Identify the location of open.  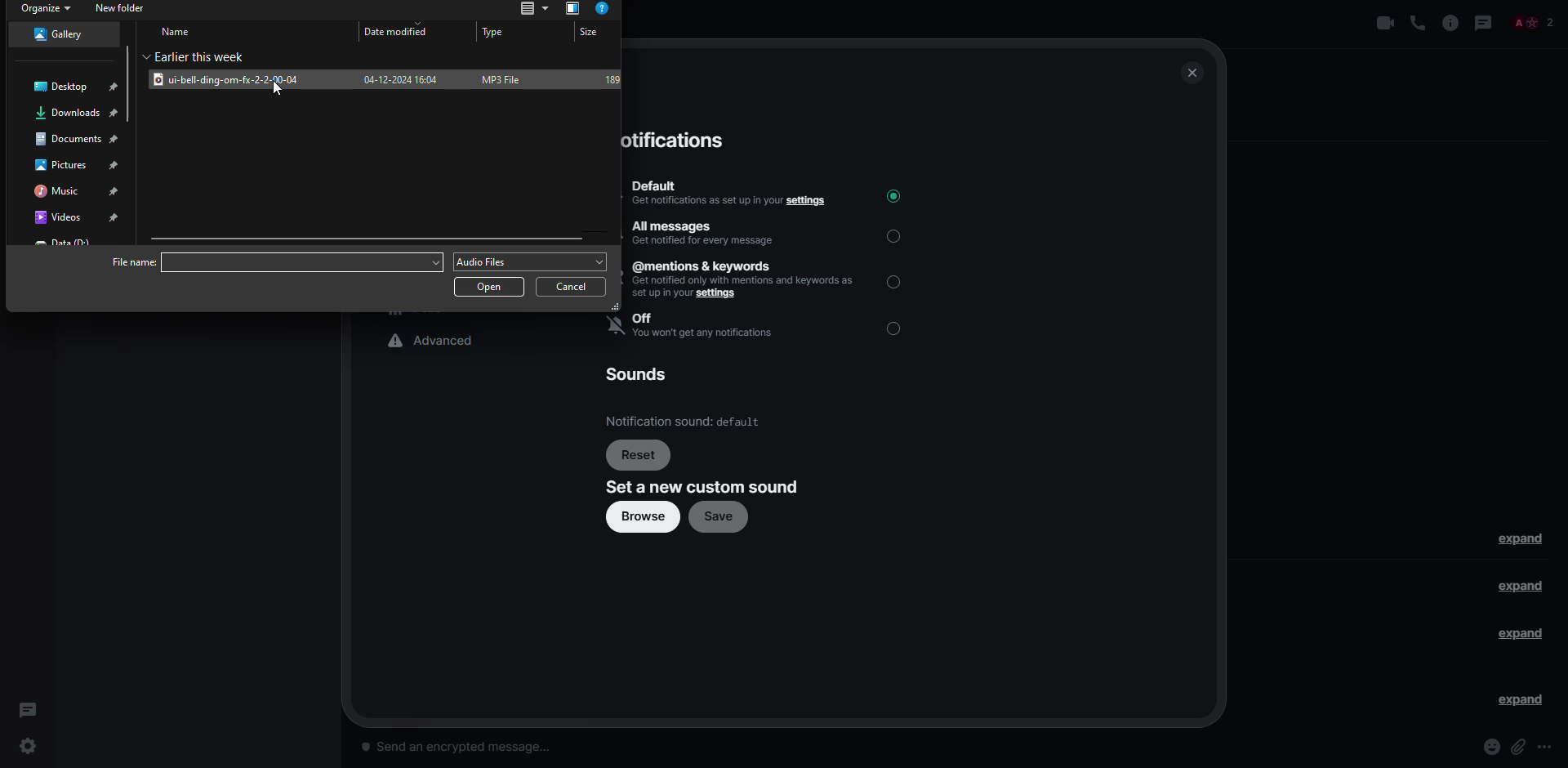
(492, 288).